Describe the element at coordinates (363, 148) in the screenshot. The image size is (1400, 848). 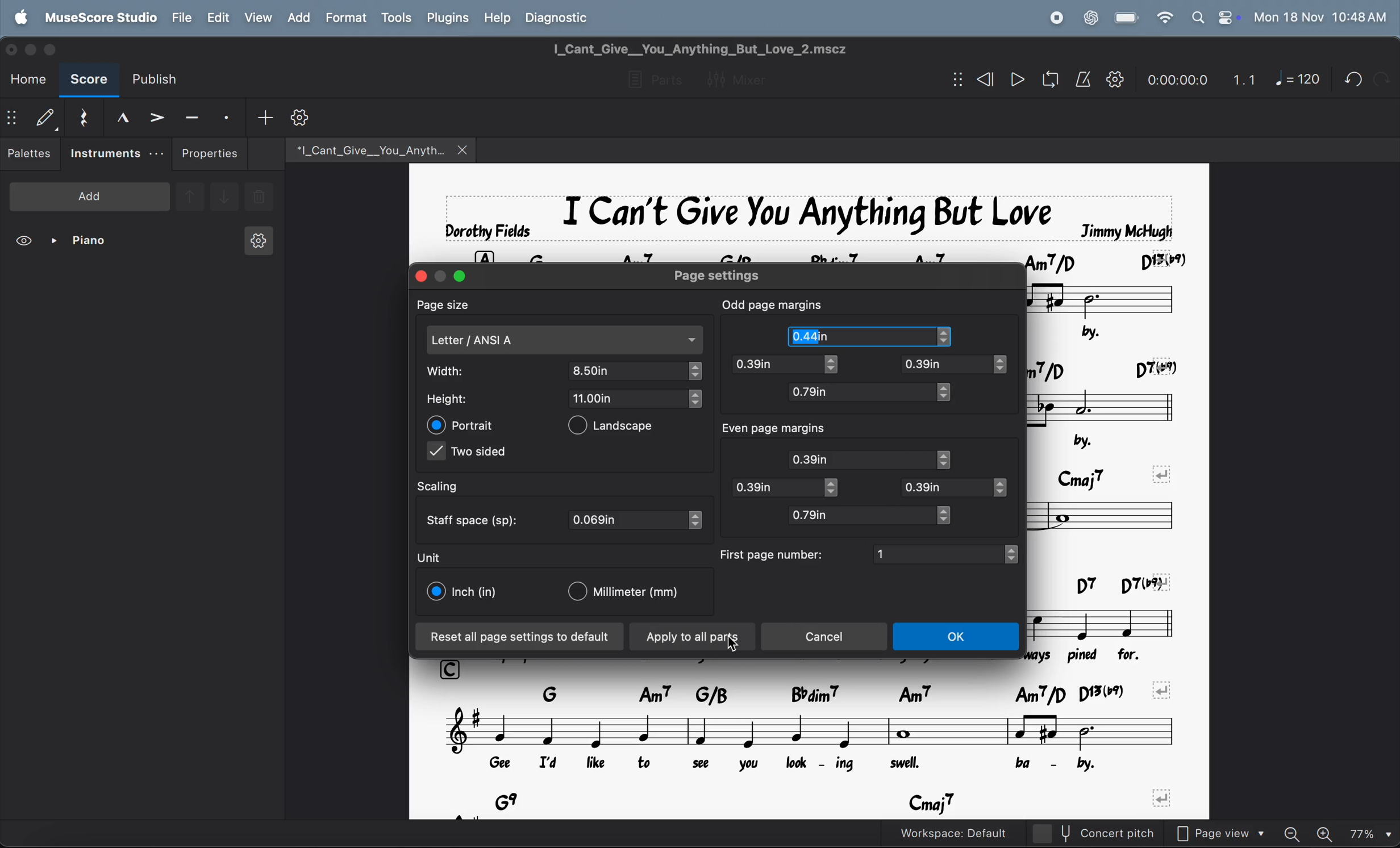
I see `file name` at that location.